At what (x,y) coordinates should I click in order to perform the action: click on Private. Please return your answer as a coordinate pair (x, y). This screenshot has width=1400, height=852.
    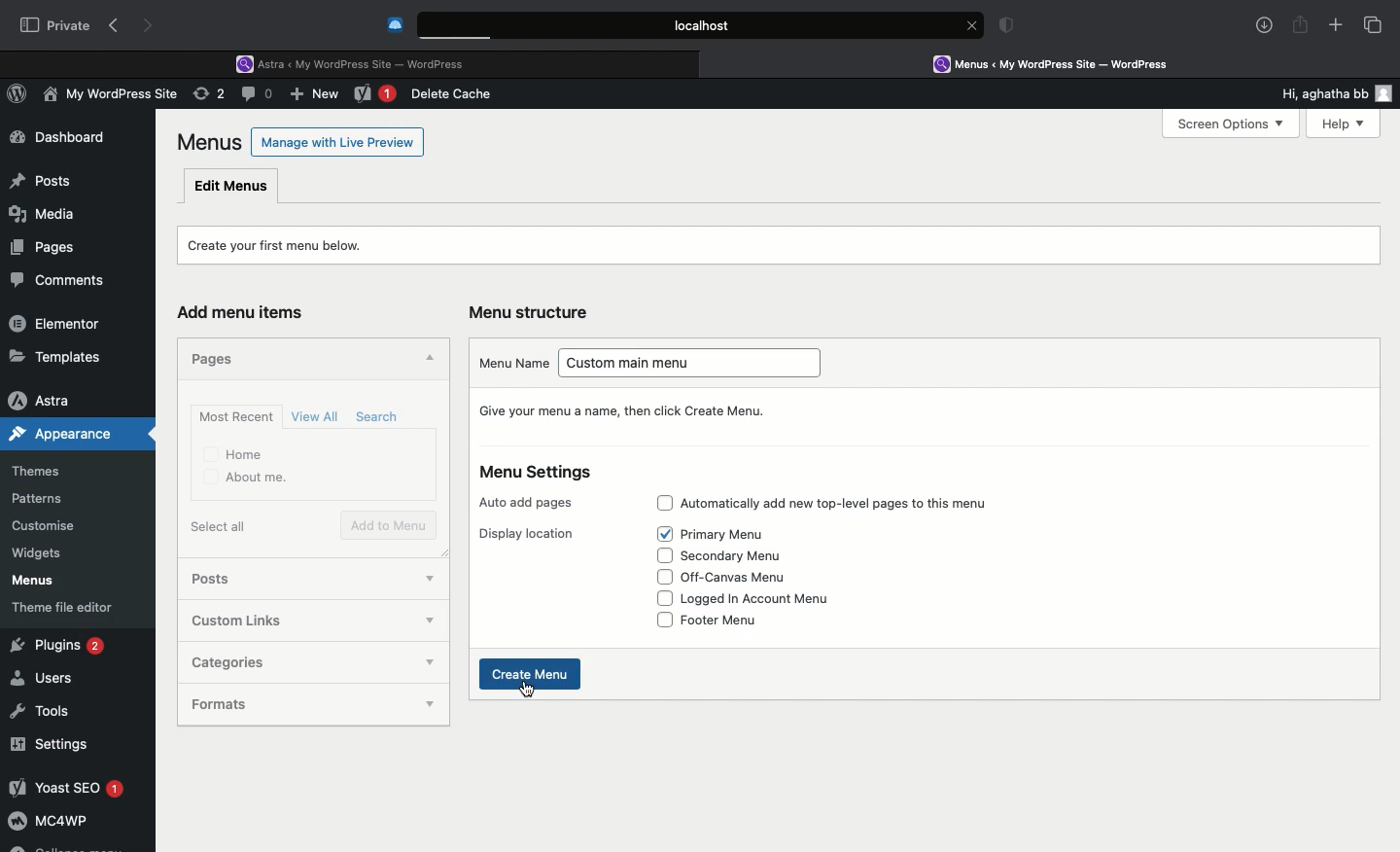
    Looking at the image, I should click on (55, 24).